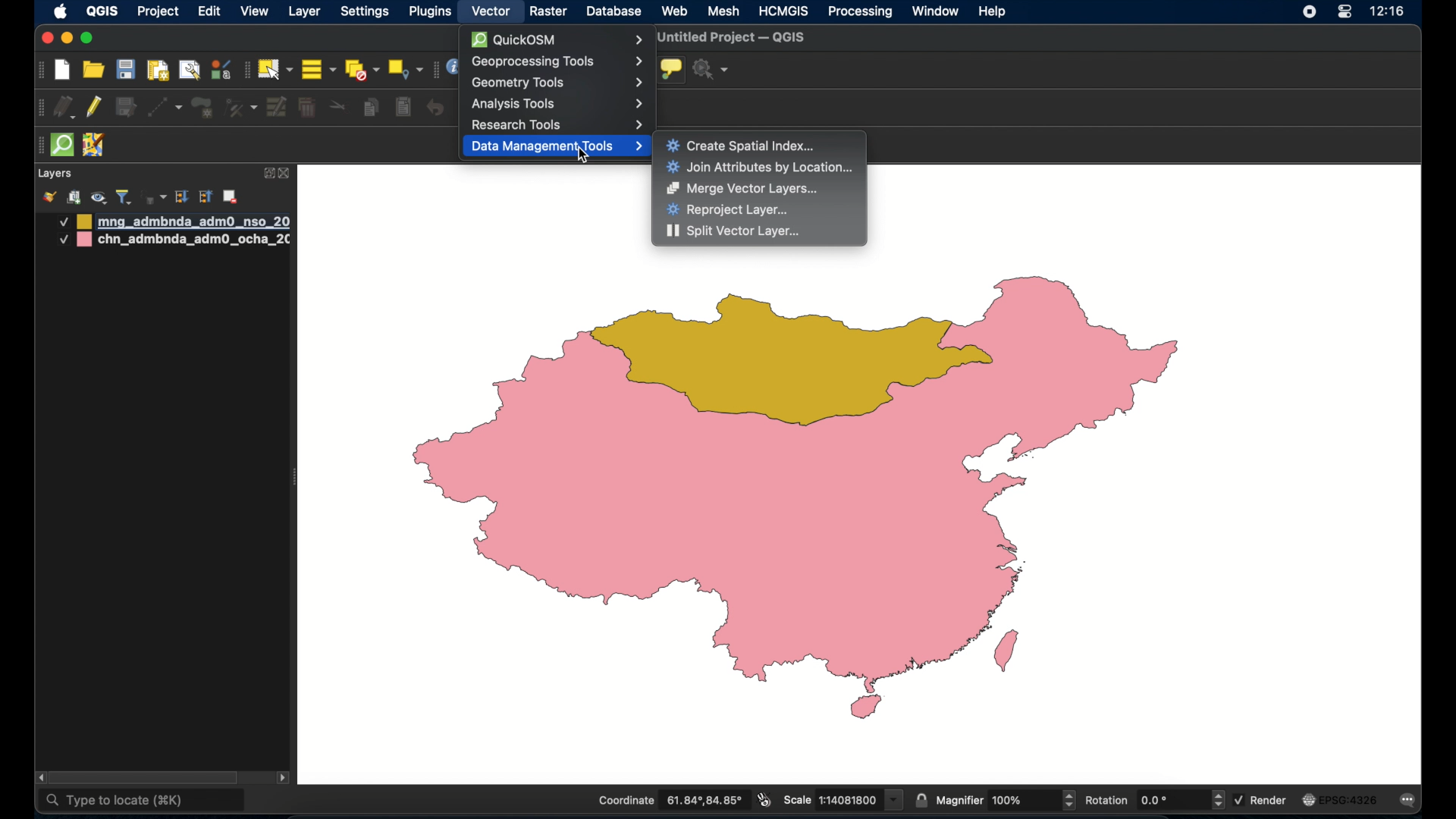 The height and width of the screenshot is (819, 1456). What do you see at coordinates (491, 11) in the screenshot?
I see `vector` at bounding box center [491, 11].